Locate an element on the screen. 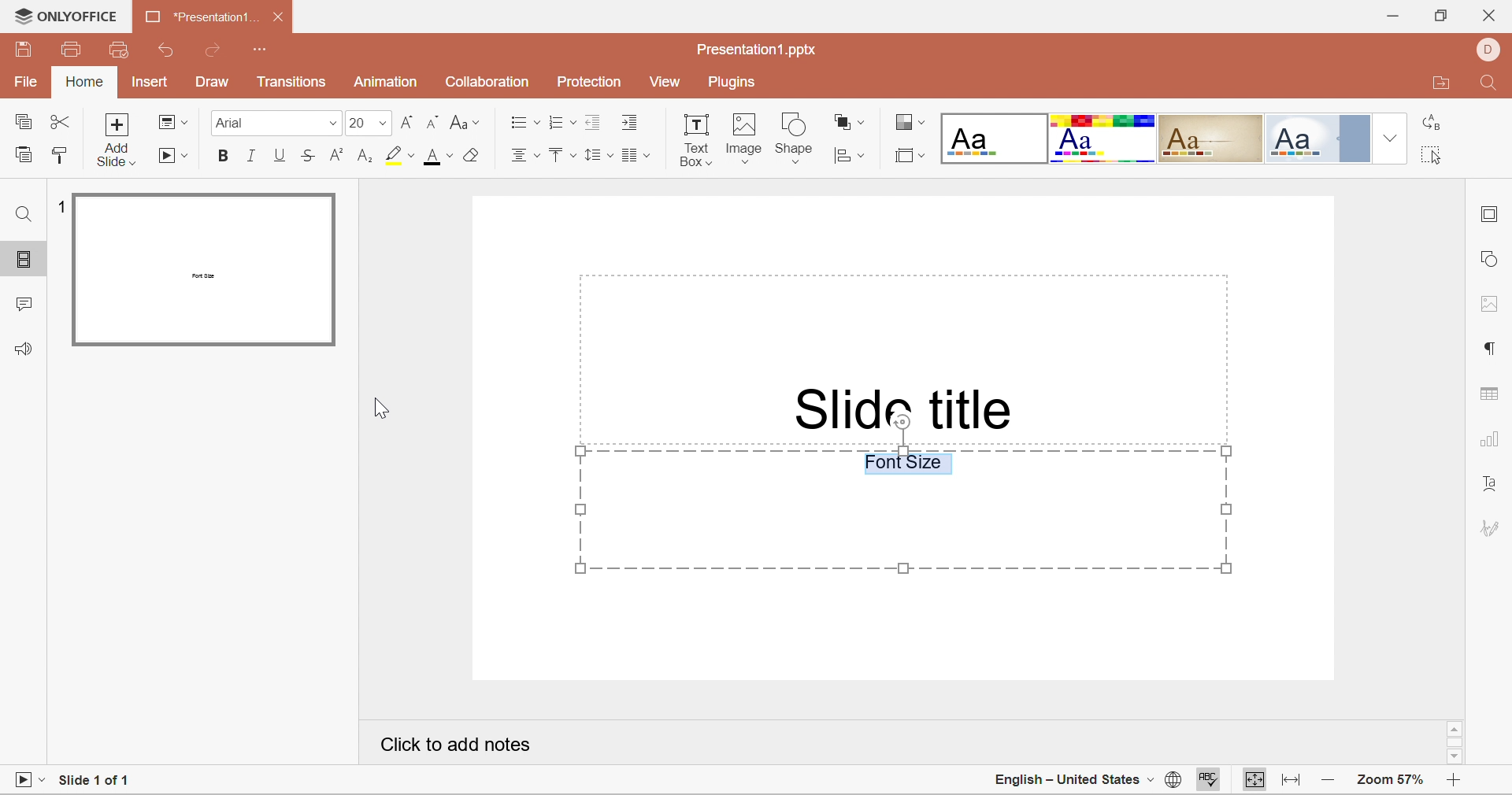  Select all is located at coordinates (1429, 154).